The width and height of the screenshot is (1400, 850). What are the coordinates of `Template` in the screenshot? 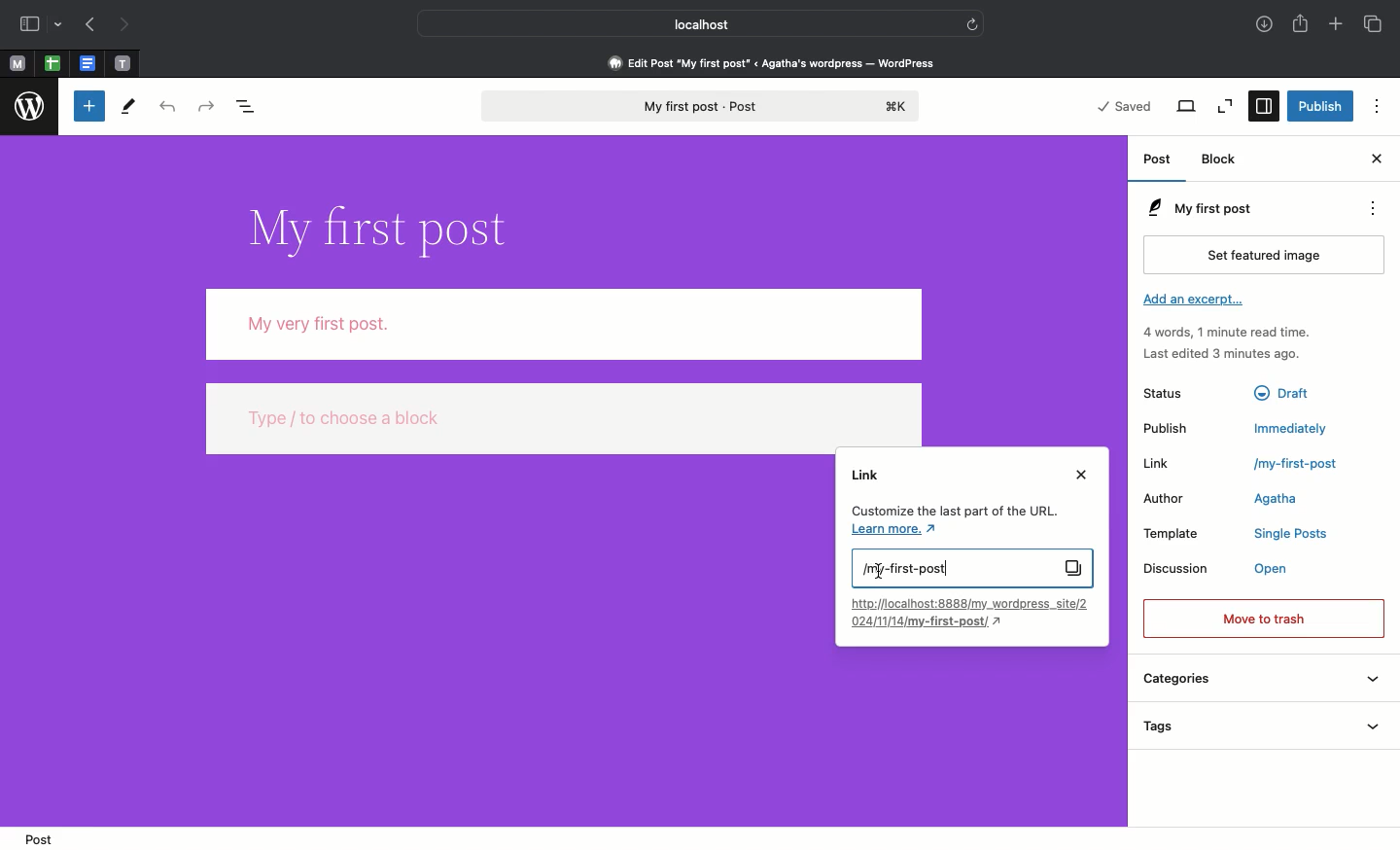 It's located at (1174, 533).